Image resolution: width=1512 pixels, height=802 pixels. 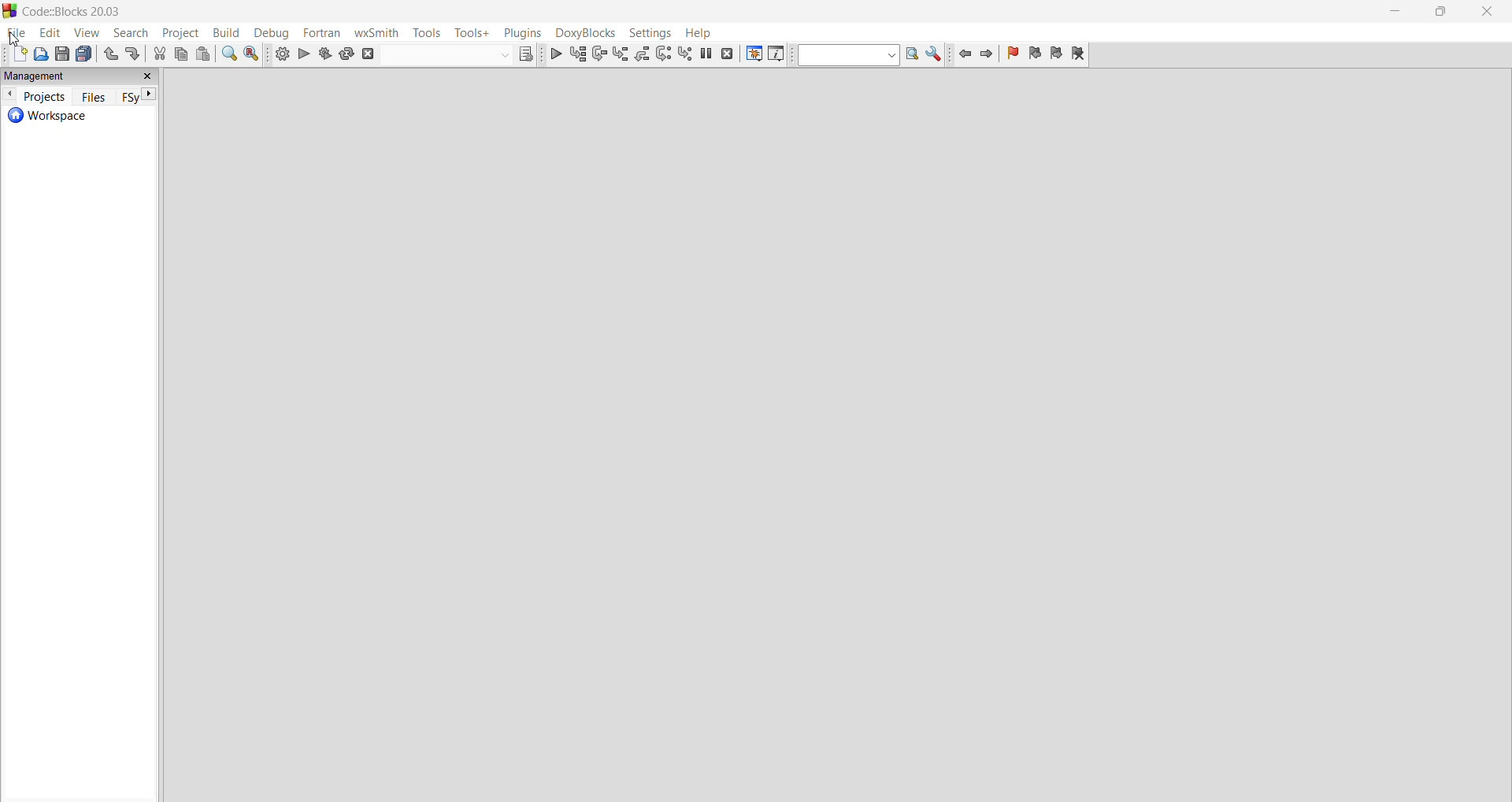 I want to click on build target, so click(x=447, y=56).